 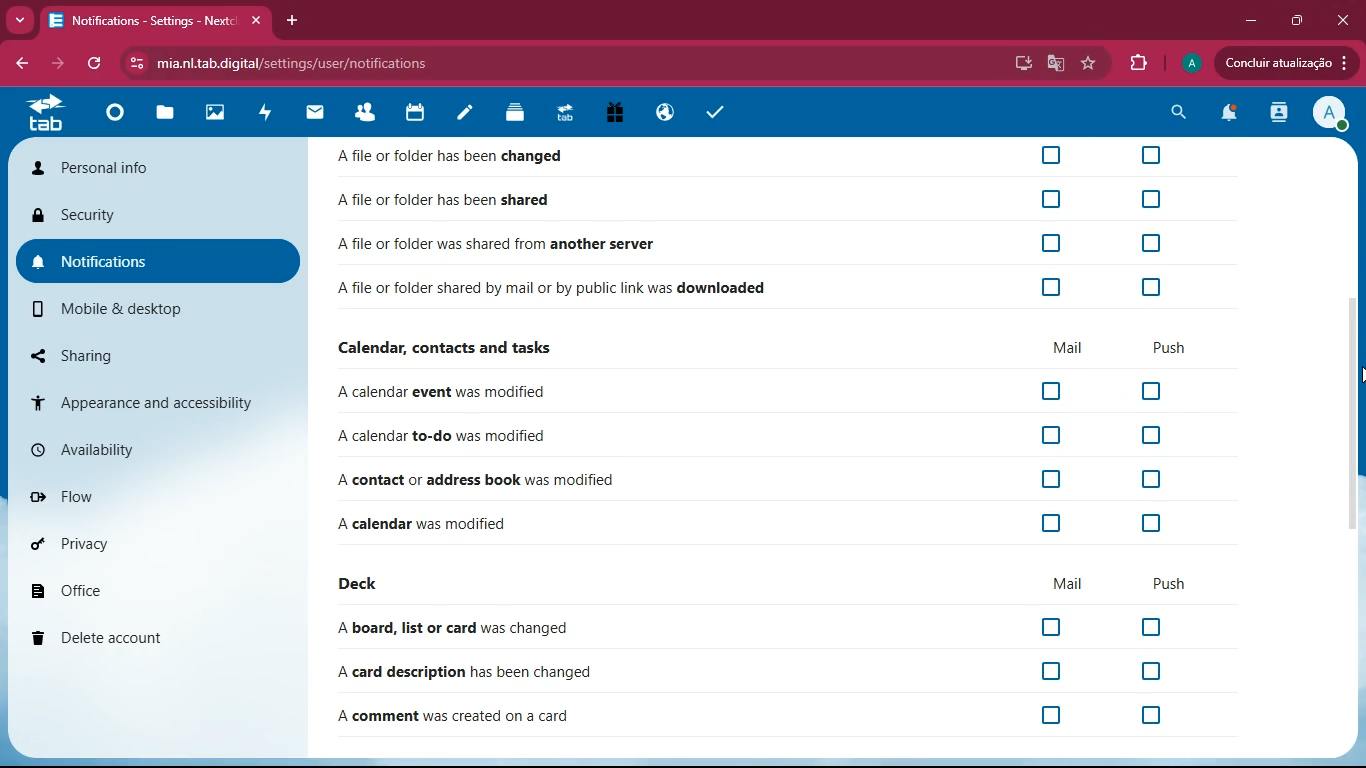 I want to click on activity, so click(x=266, y=113).